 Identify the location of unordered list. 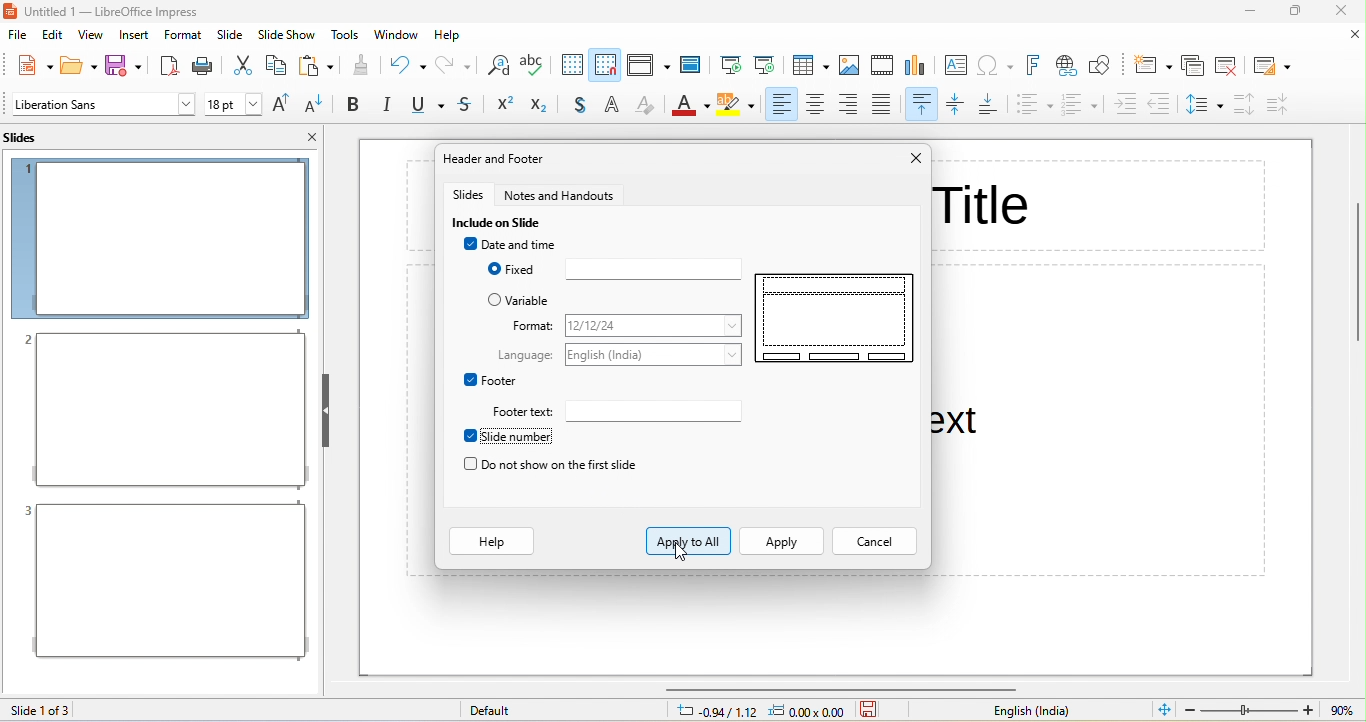
(1034, 107).